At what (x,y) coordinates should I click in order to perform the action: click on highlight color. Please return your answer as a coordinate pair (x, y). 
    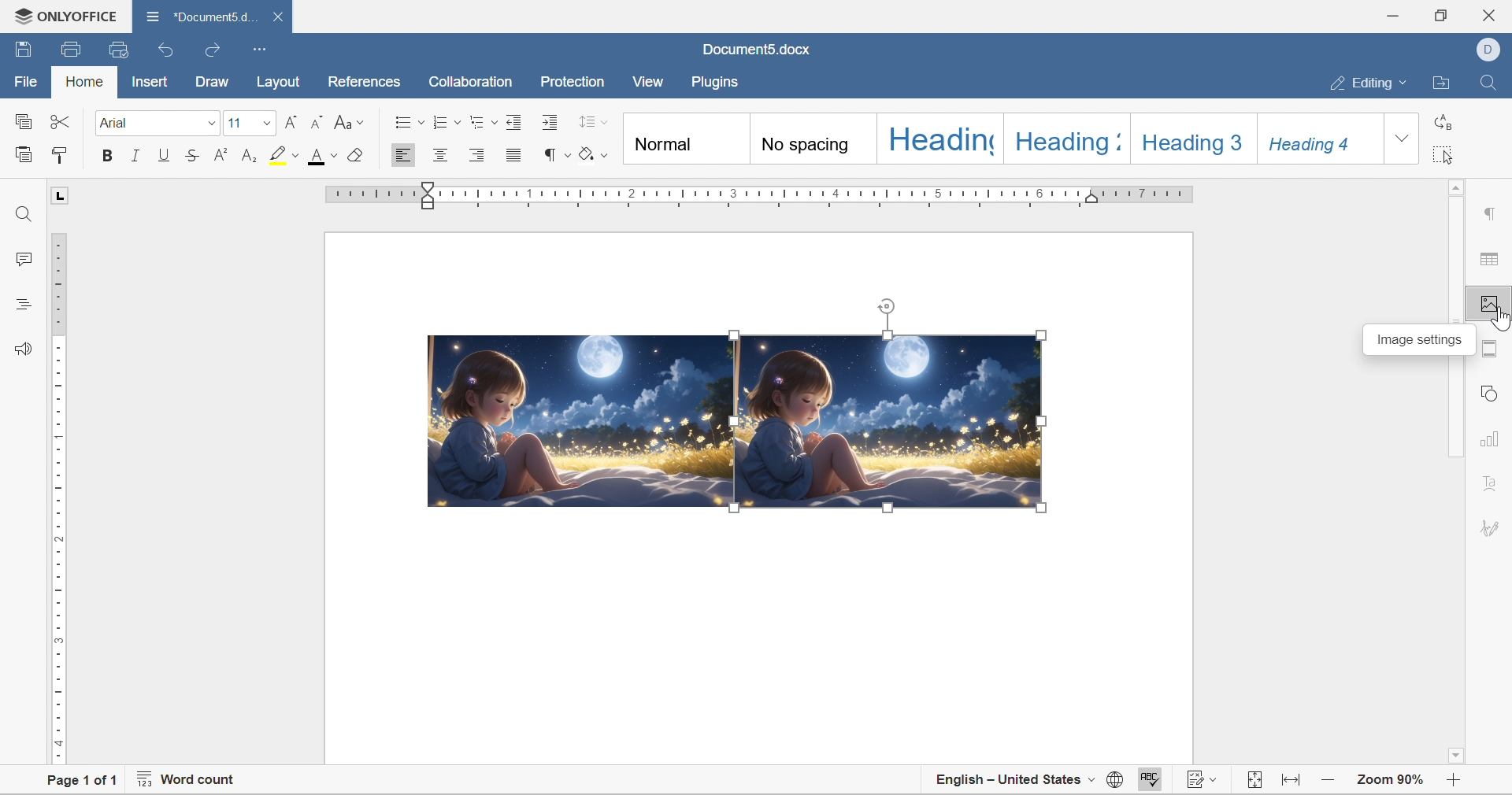
    Looking at the image, I should click on (286, 154).